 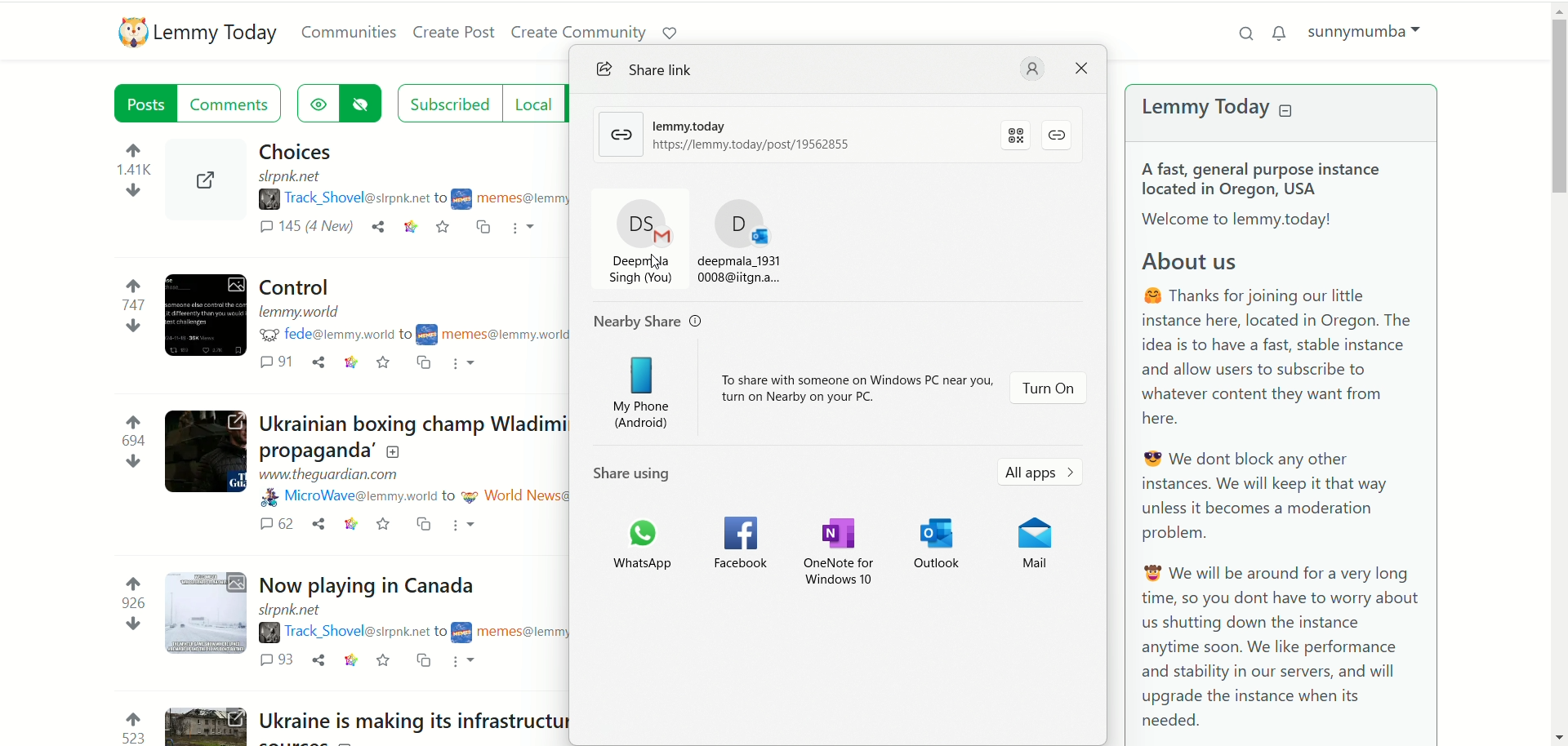 What do you see at coordinates (467, 527) in the screenshot?
I see `more` at bounding box center [467, 527].